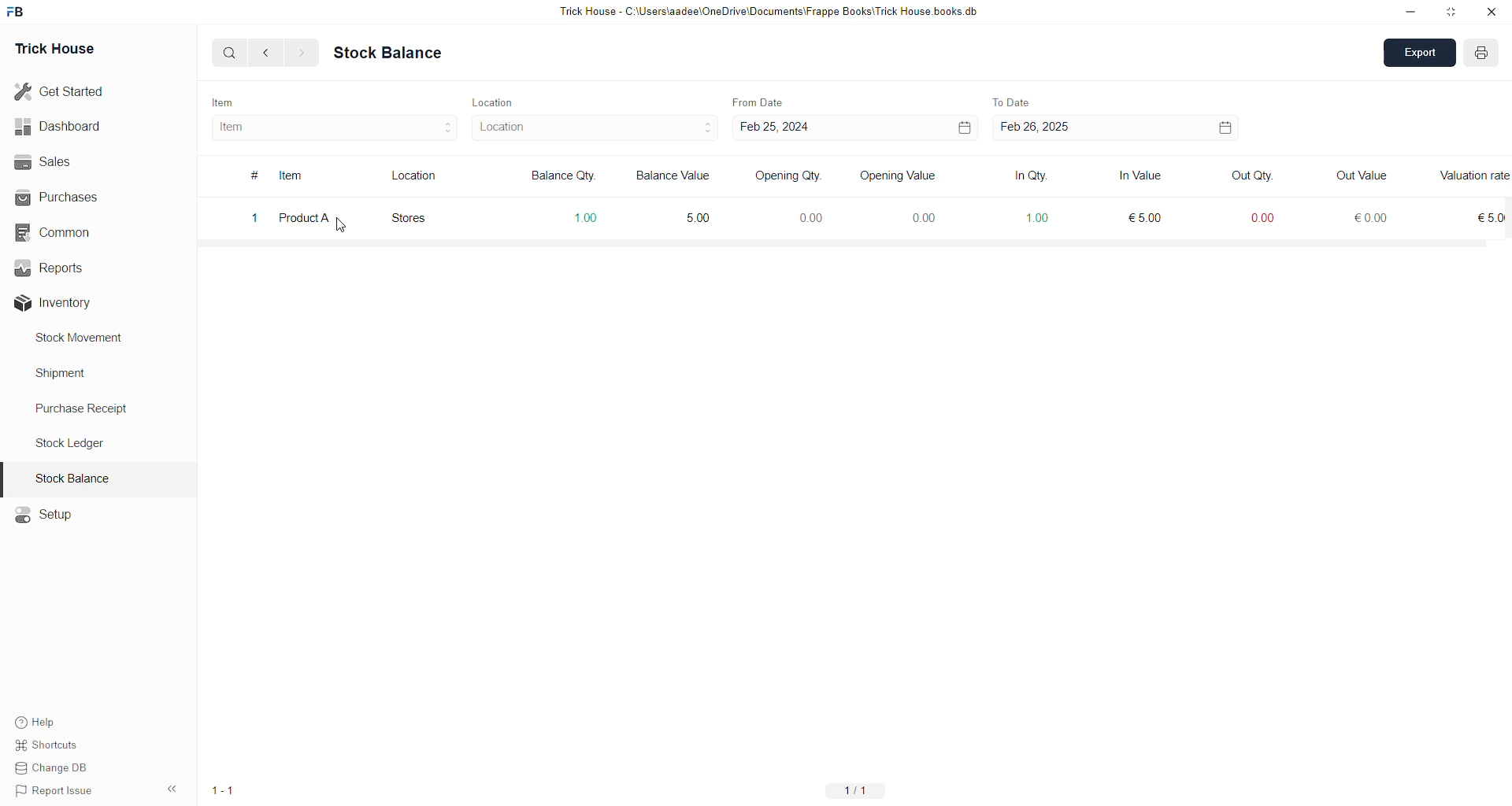  What do you see at coordinates (802, 218) in the screenshot?
I see `0.00` at bounding box center [802, 218].